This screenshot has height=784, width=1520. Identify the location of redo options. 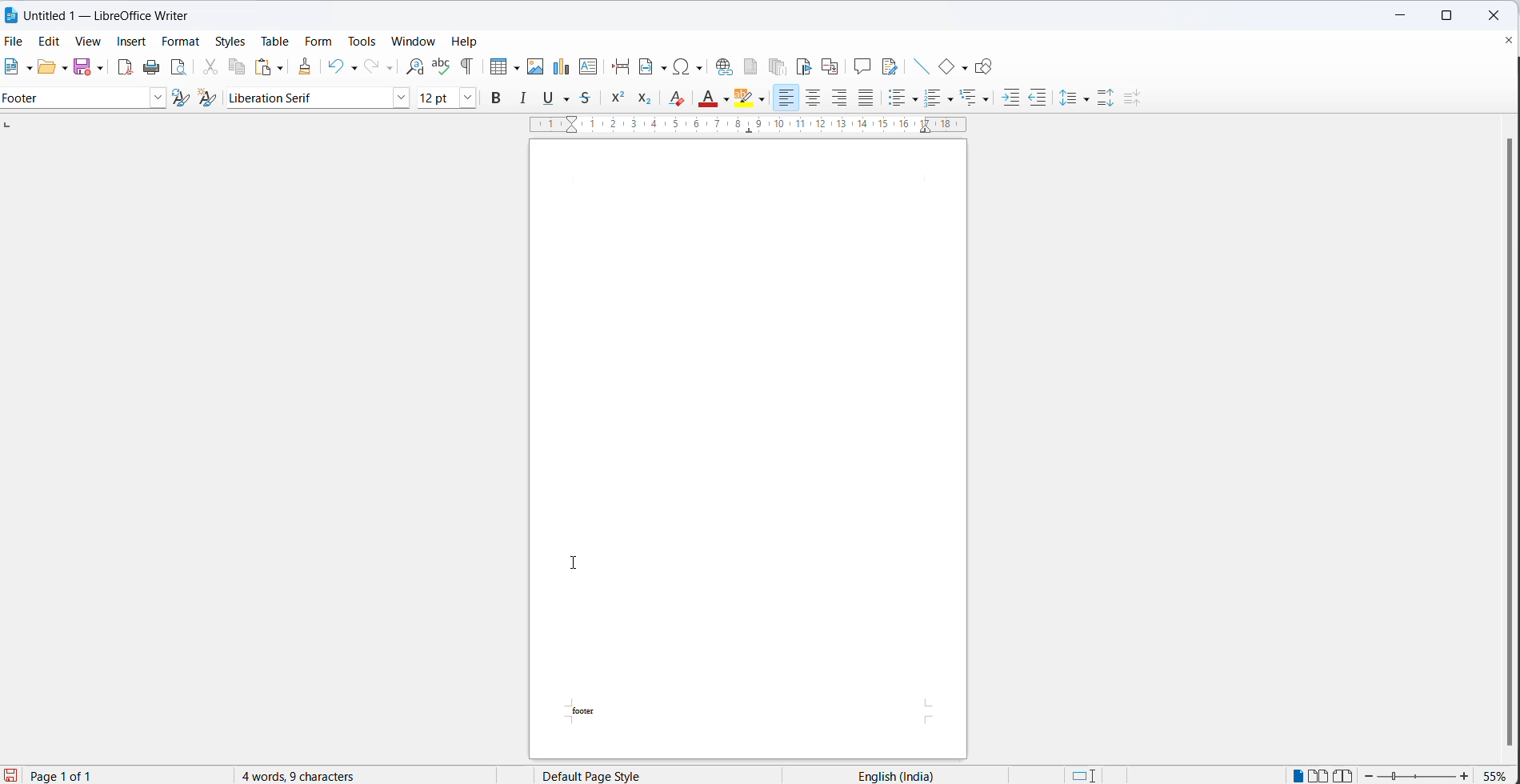
(388, 67).